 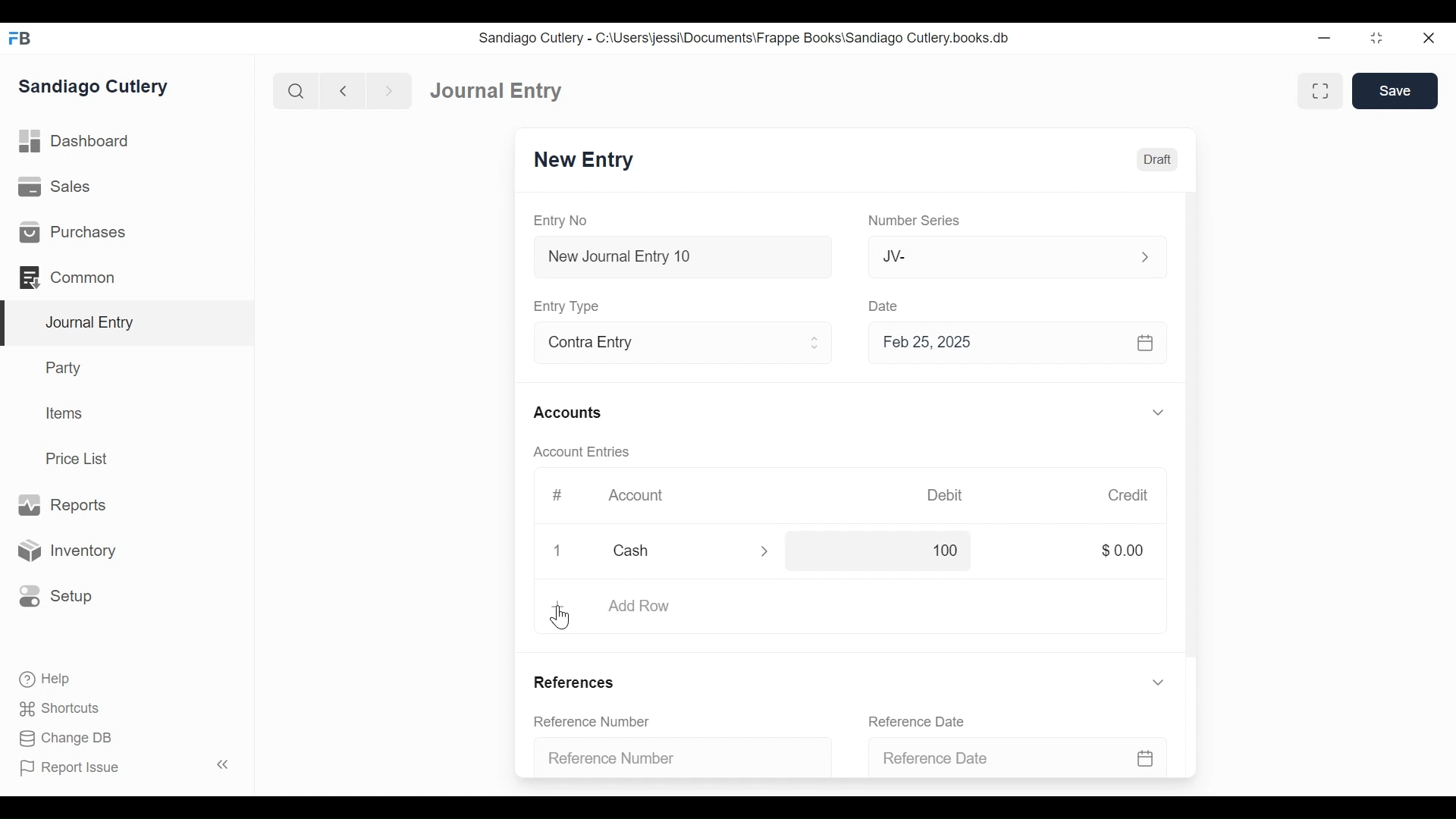 What do you see at coordinates (55, 708) in the screenshot?
I see `Shortcuts` at bounding box center [55, 708].